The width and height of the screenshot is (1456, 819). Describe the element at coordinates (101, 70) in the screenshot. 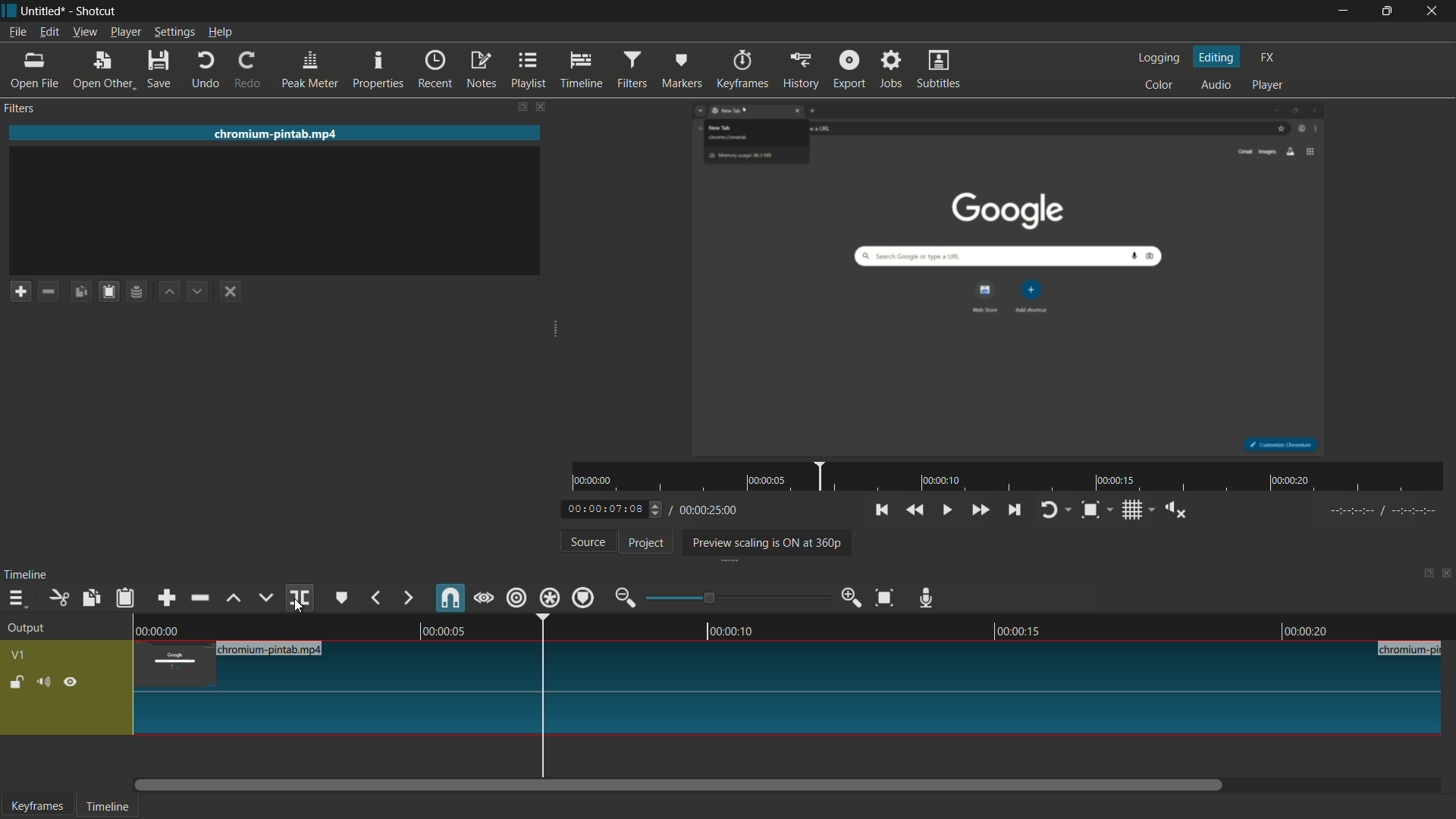

I see `open other` at that location.